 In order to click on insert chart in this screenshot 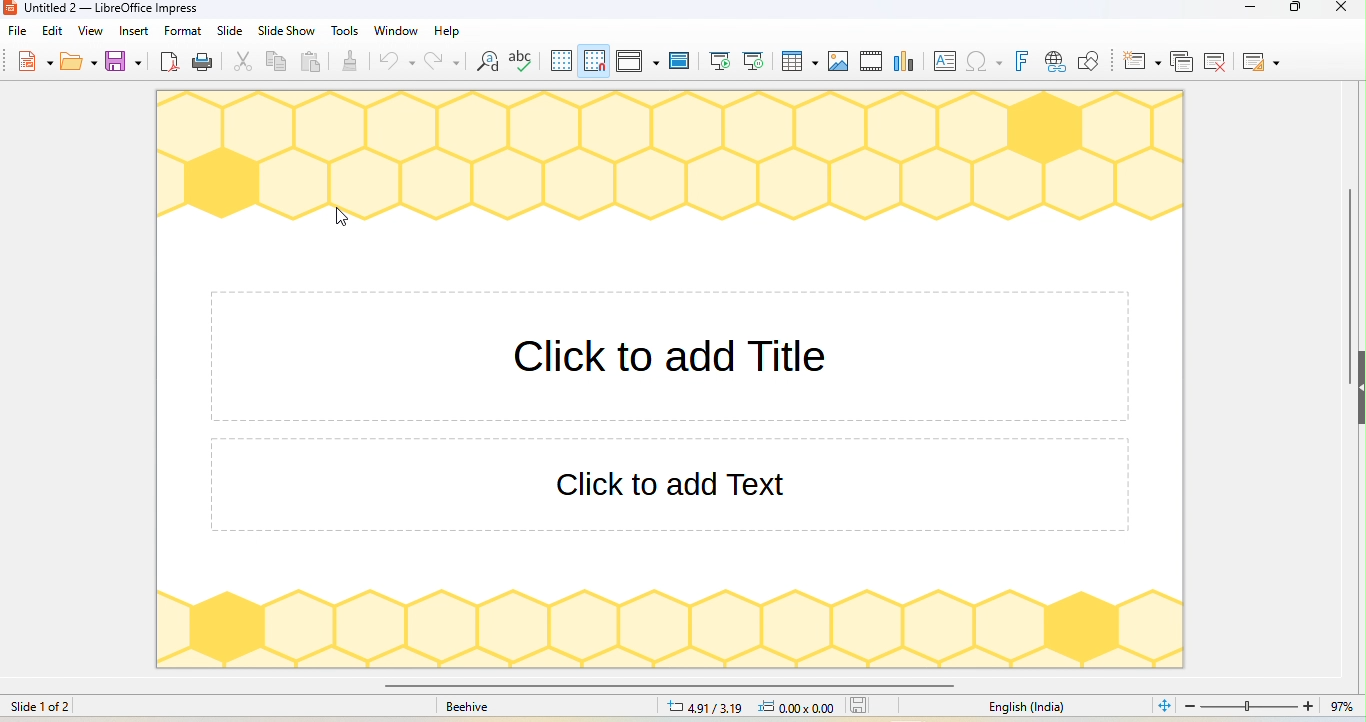, I will do `click(907, 60)`.